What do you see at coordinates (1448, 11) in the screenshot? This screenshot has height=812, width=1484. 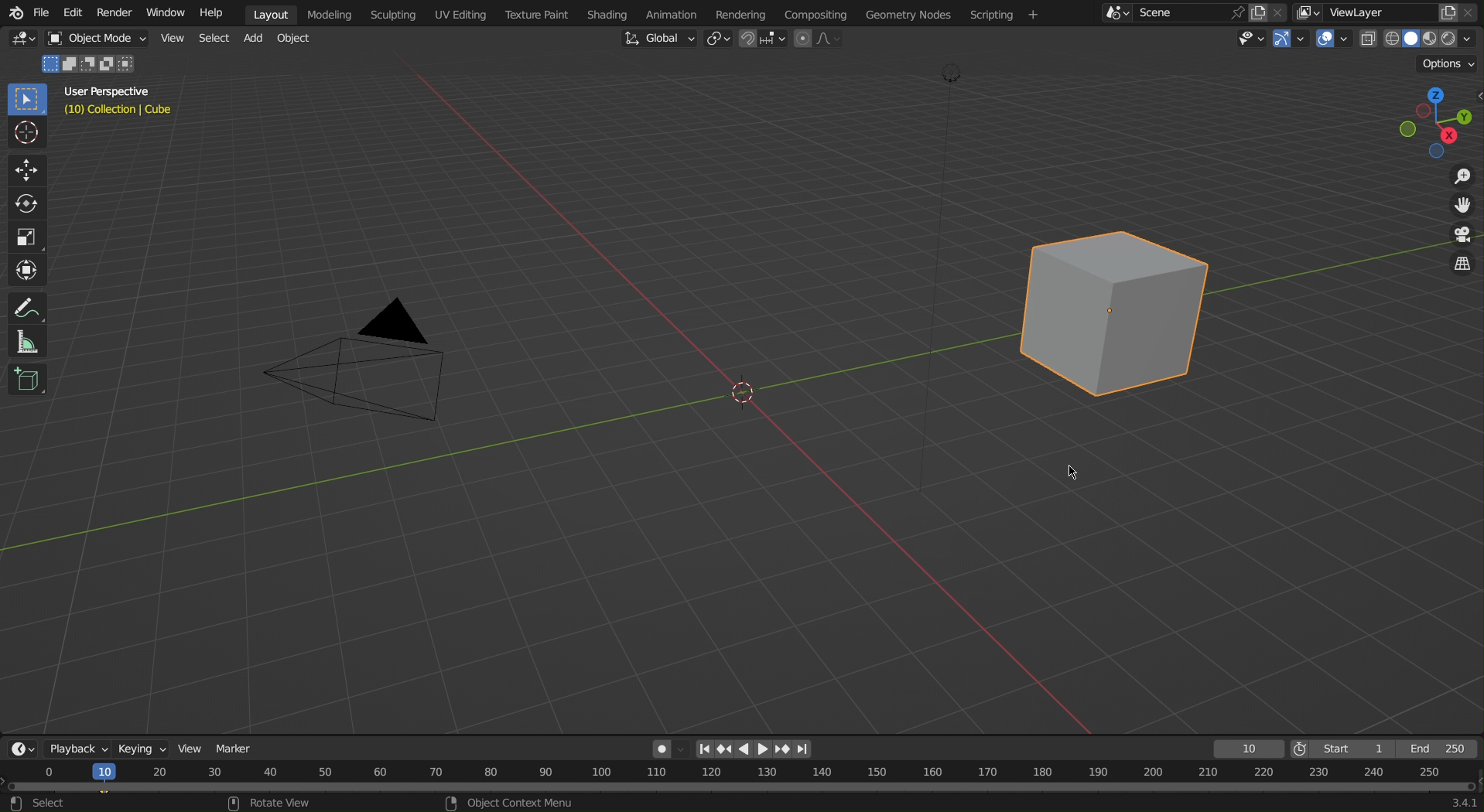 I see `copy` at bounding box center [1448, 11].